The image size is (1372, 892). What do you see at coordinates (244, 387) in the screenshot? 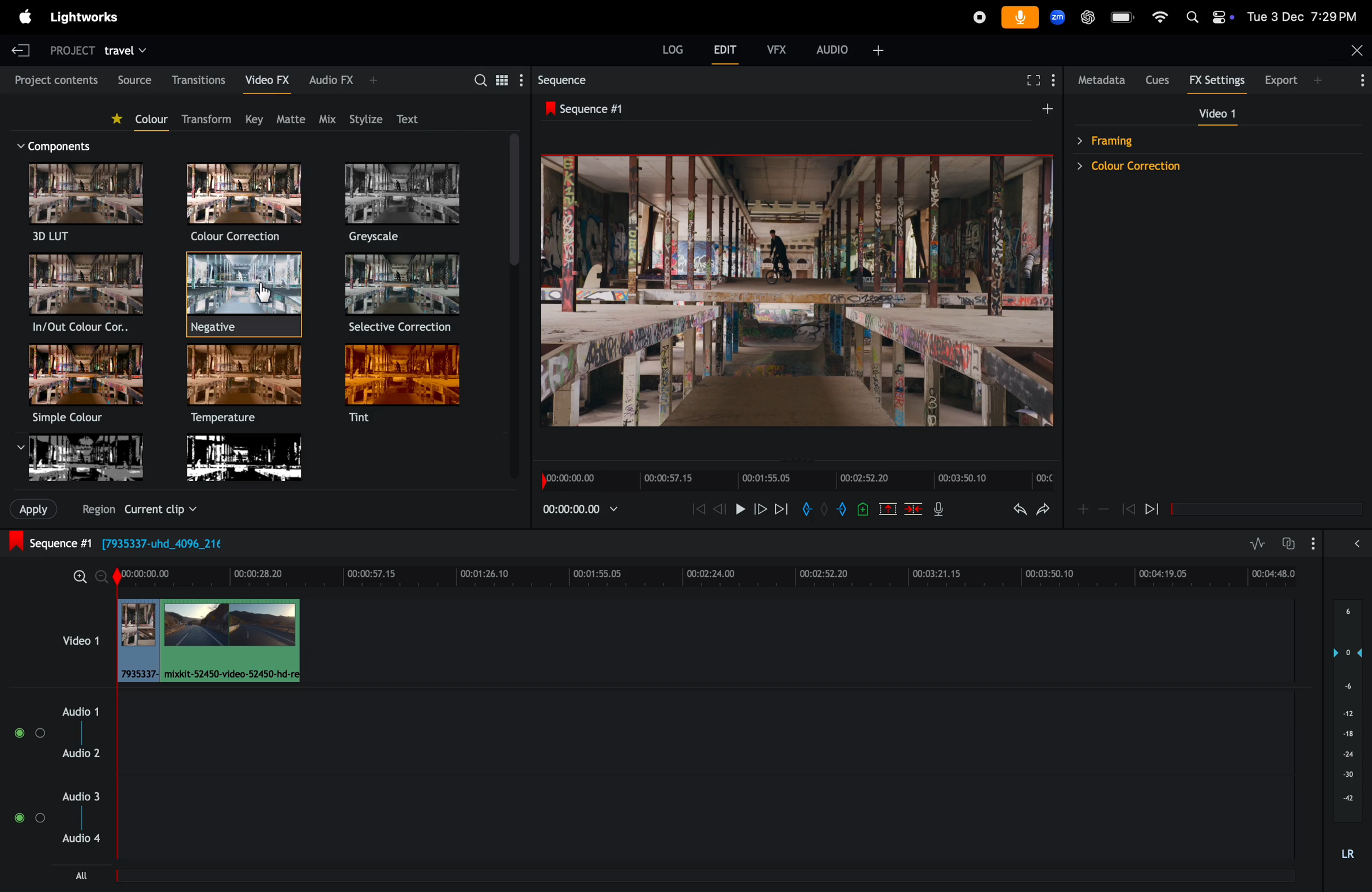
I see `temperature` at bounding box center [244, 387].